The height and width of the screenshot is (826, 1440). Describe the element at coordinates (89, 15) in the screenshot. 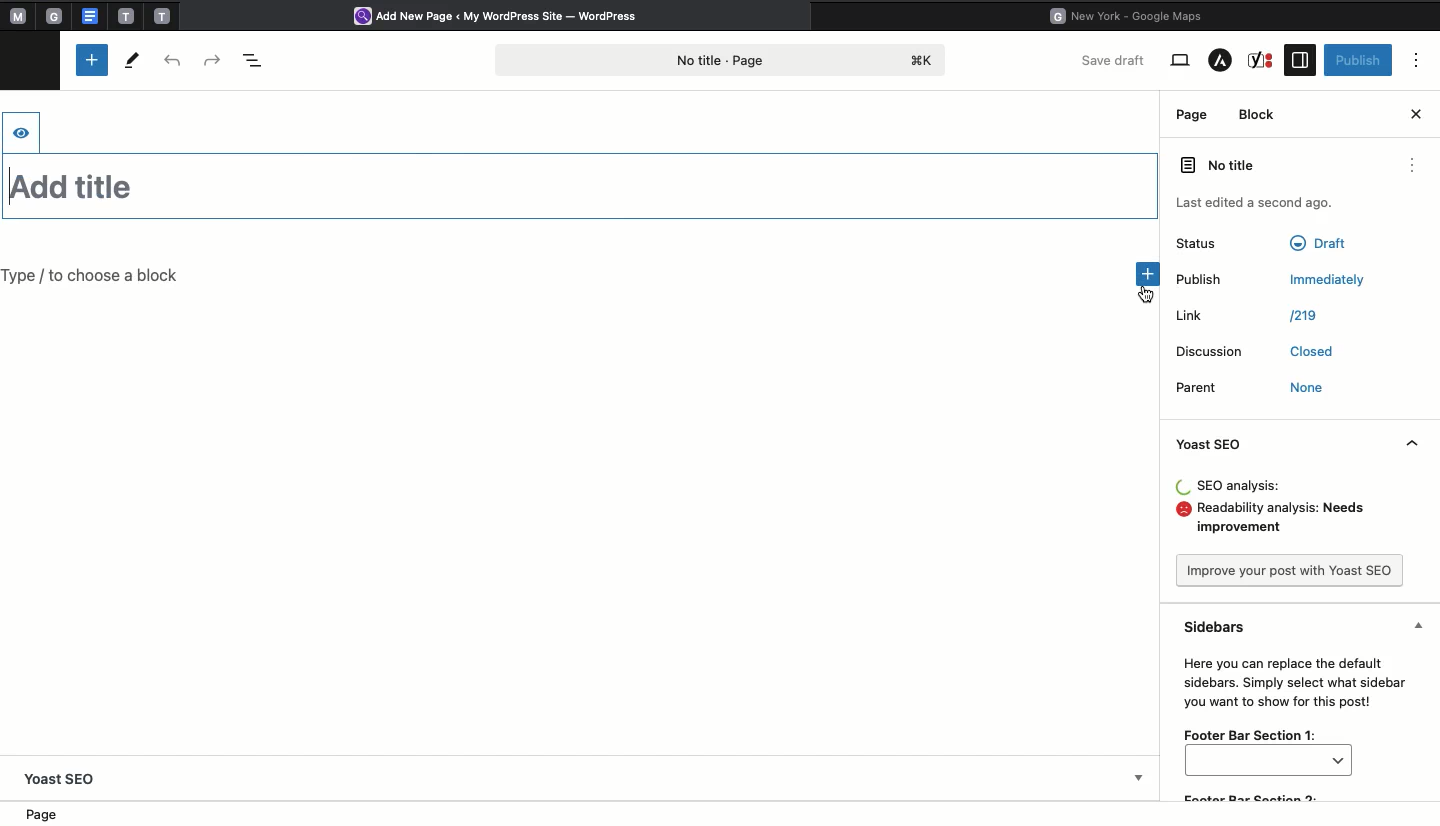

I see `google doc` at that location.